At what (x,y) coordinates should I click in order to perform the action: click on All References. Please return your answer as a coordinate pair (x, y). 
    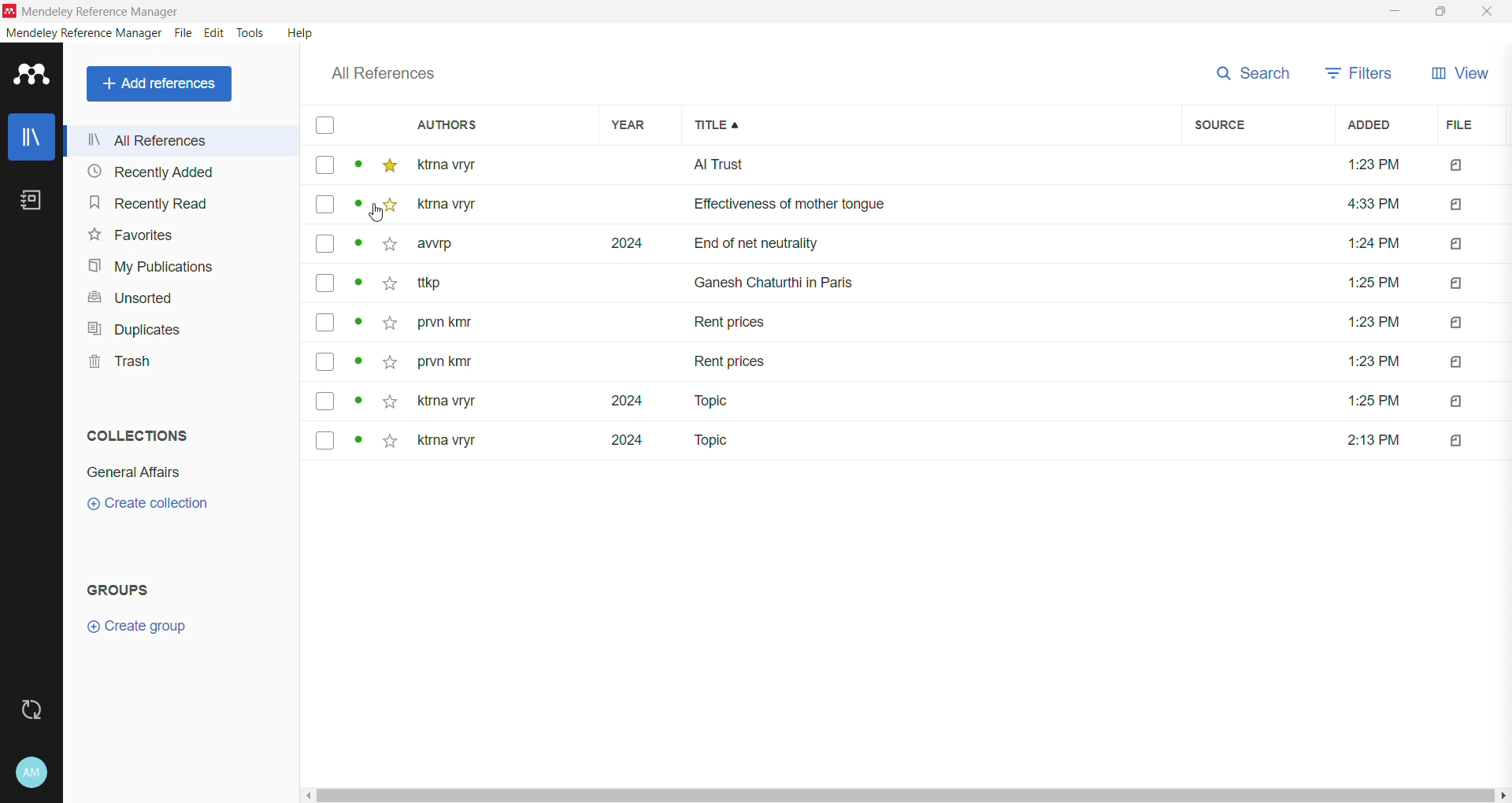
    Looking at the image, I should click on (384, 74).